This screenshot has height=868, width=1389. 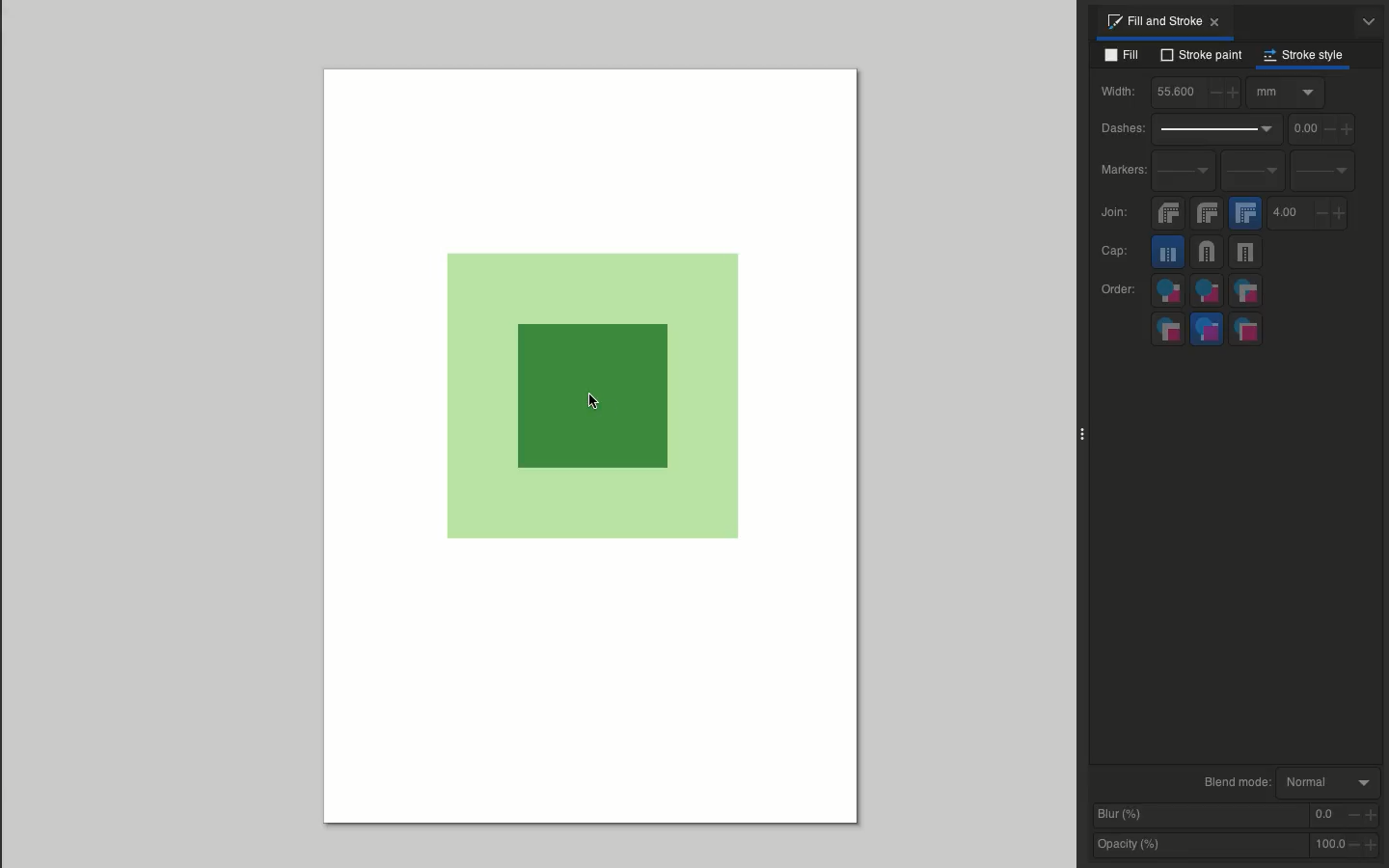 I want to click on Opacity, so click(x=1200, y=845).